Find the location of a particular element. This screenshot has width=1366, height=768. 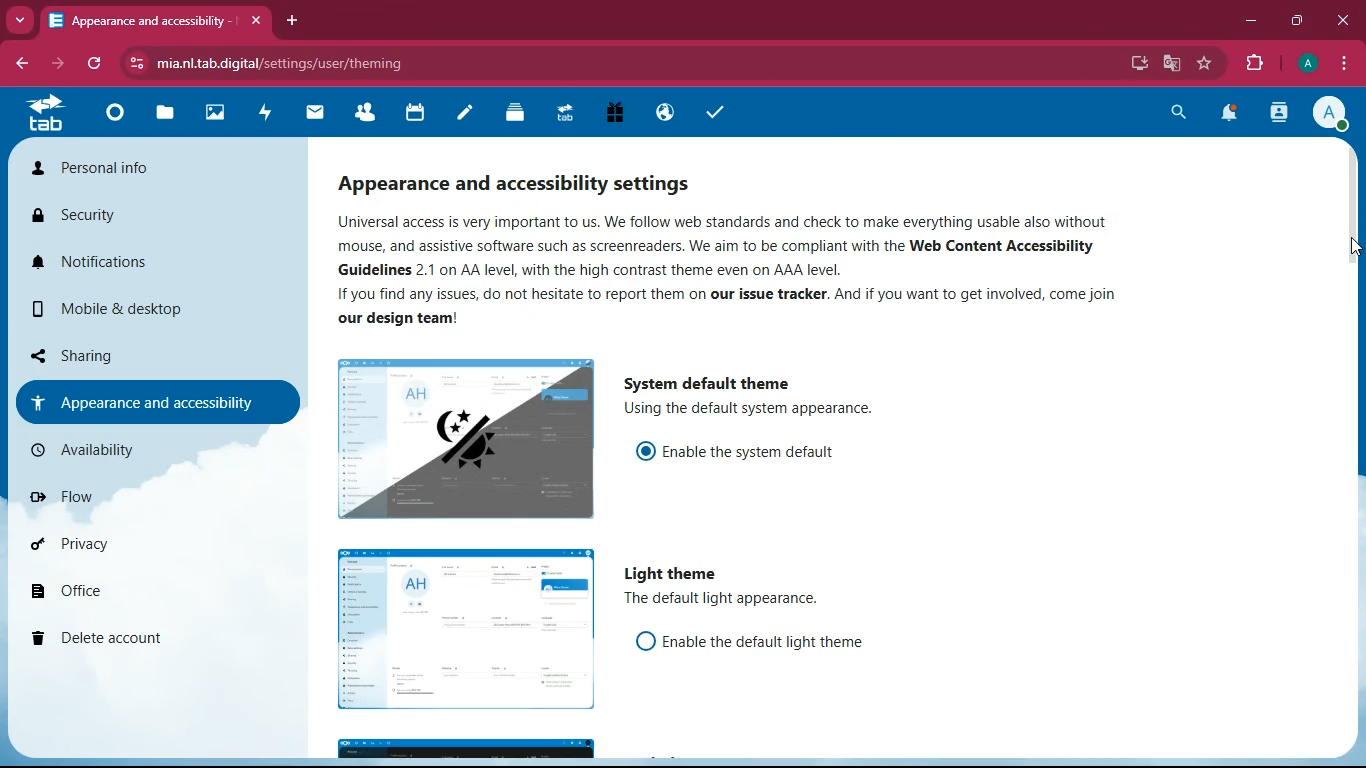

image is located at coordinates (217, 115).